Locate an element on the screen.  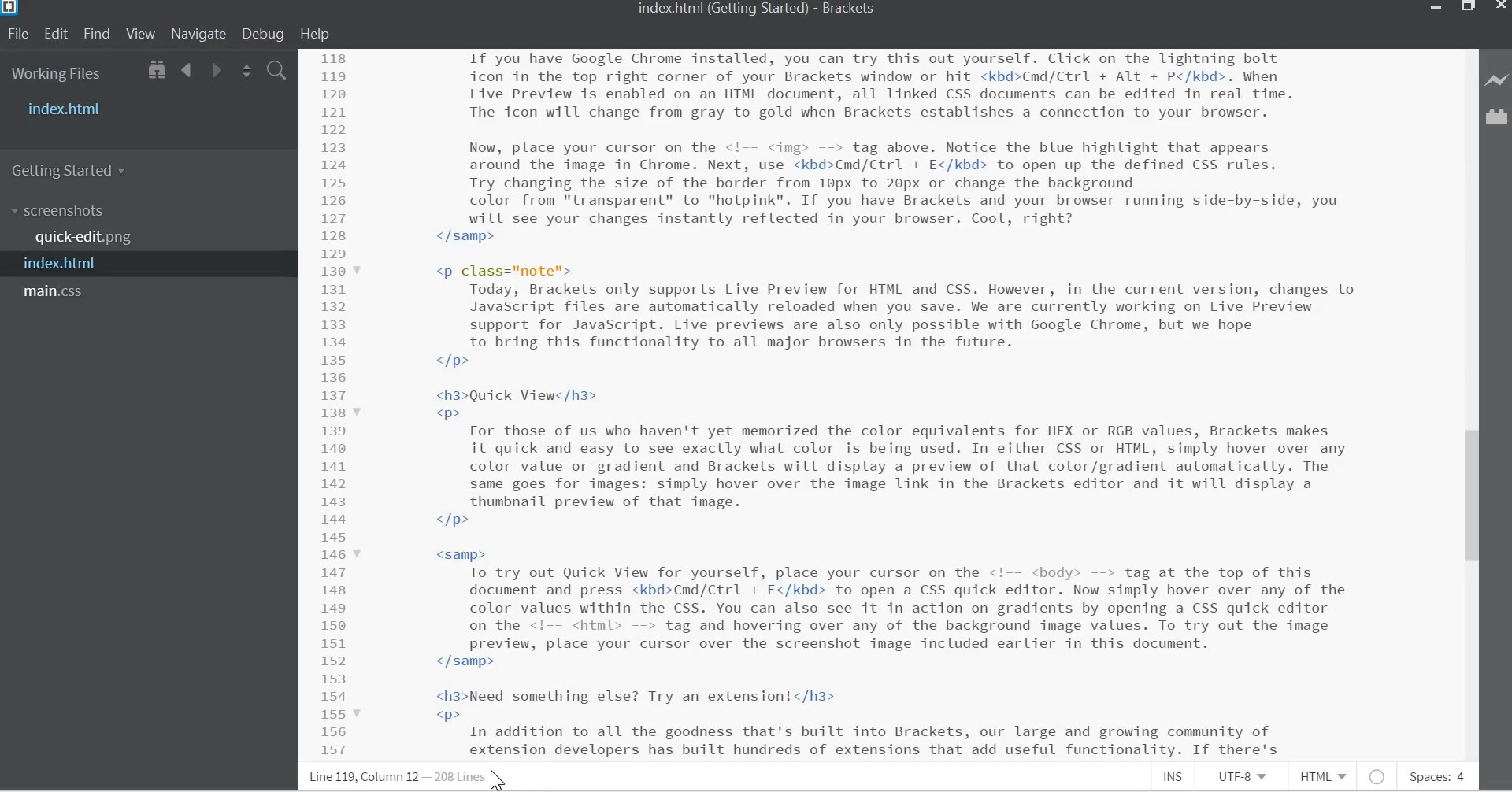
Close is located at coordinates (1499, 7).